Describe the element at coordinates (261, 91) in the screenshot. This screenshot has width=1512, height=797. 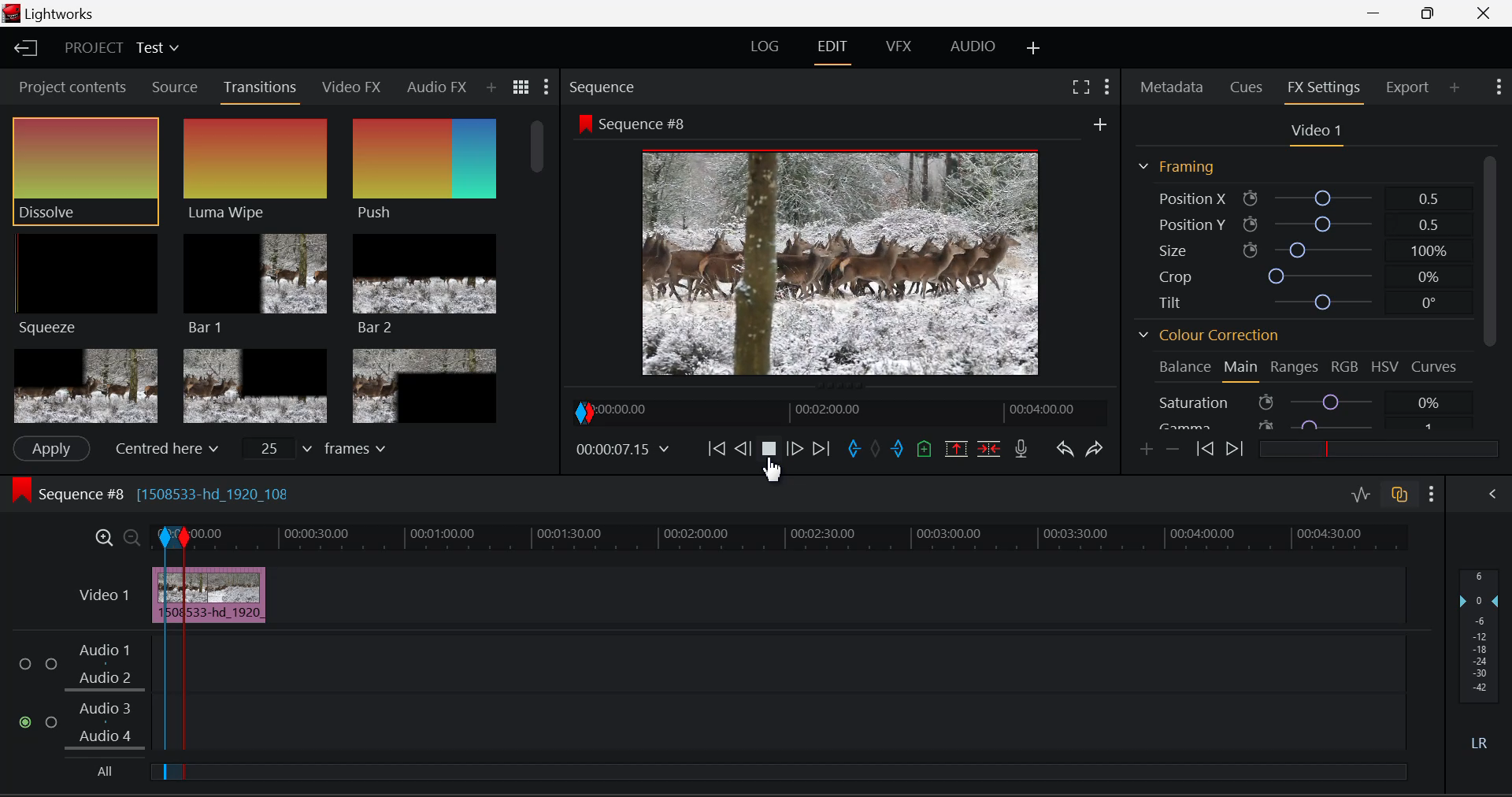
I see `Transitions Panel Open` at that location.